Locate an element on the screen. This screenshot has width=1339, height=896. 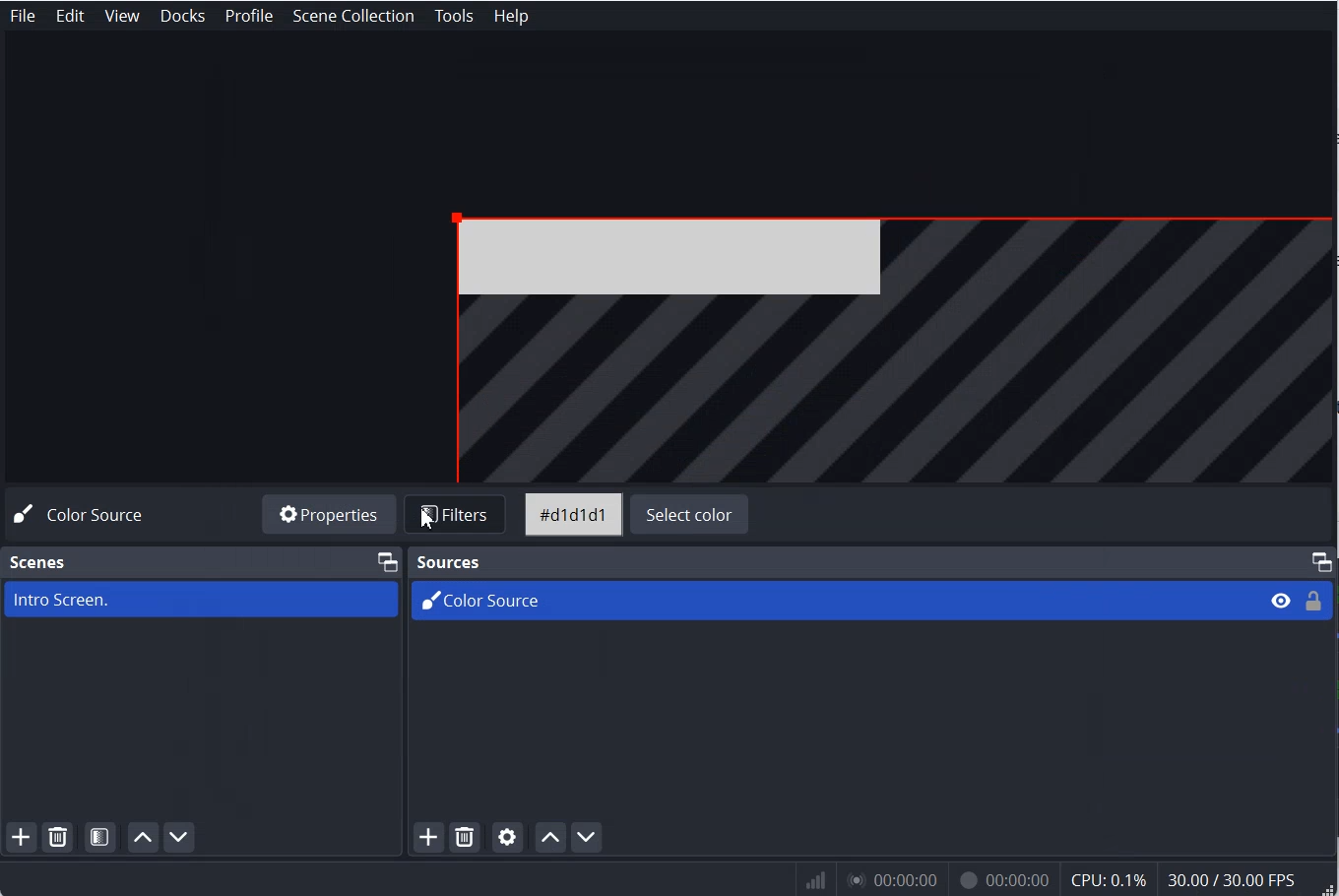
Color Code is located at coordinates (573, 516).